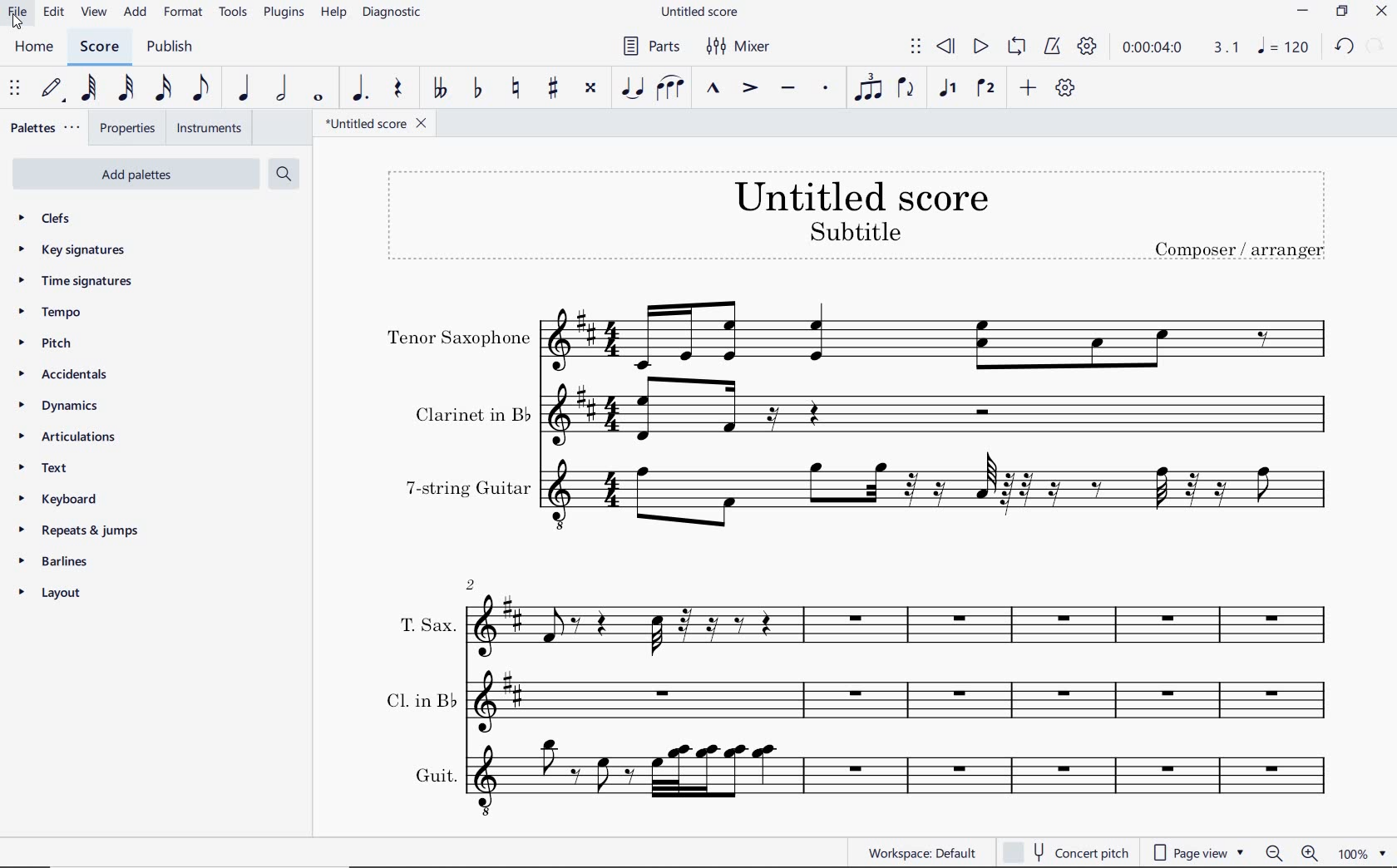  What do you see at coordinates (860, 416) in the screenshot?
I see `Clarinet in b` at bounding box center [860, 416].